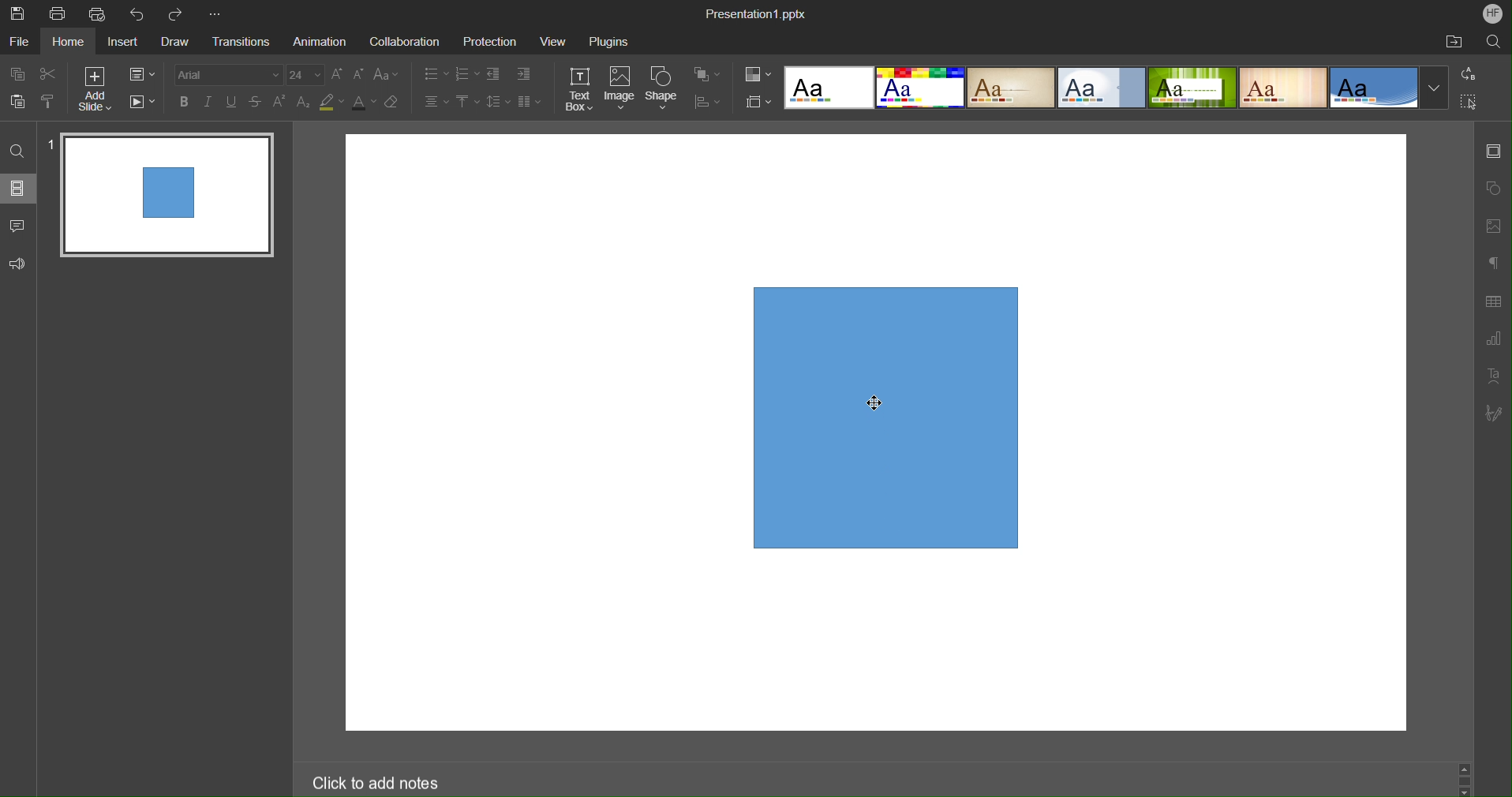 This screenshot has height=797, width=1512. I want to click on Plugins, so click(608, 39).